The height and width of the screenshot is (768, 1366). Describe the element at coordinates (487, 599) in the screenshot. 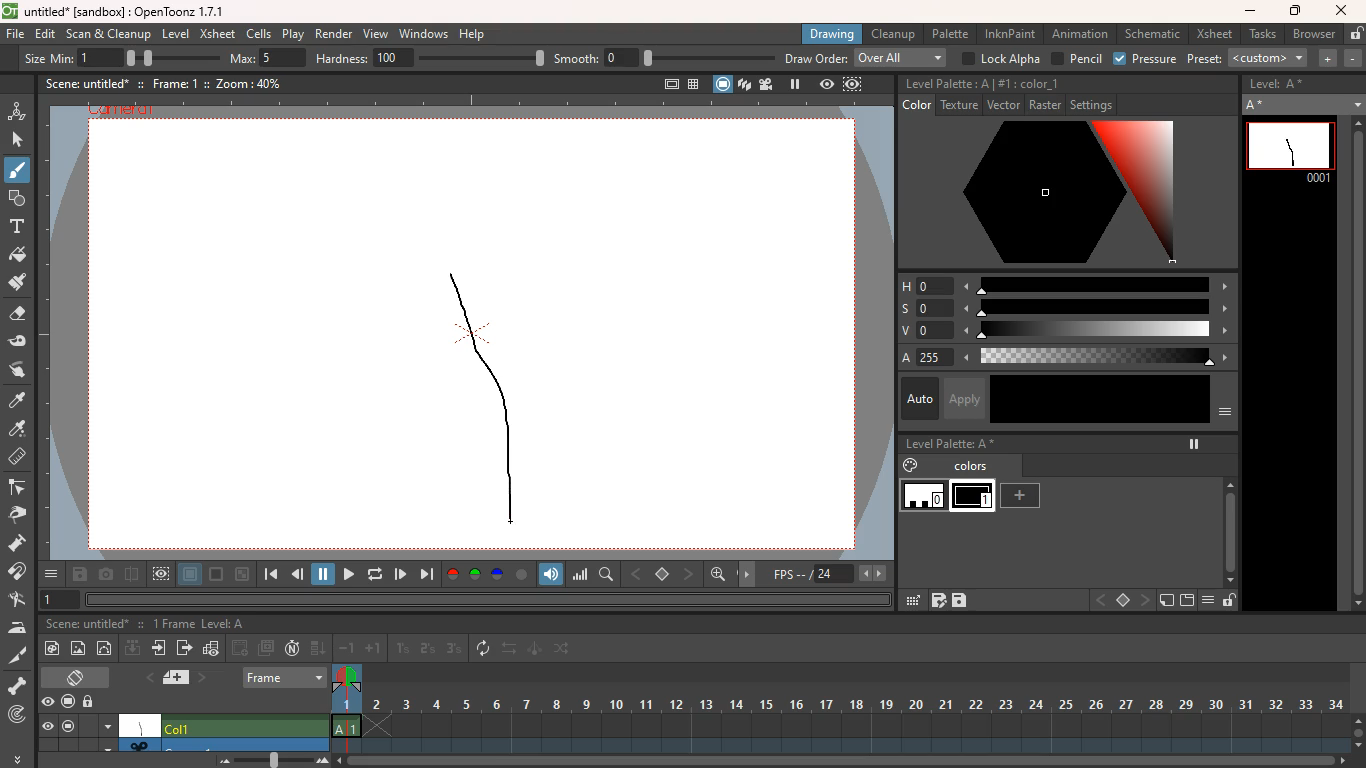

I see `horizontal scrollbar` at that location.